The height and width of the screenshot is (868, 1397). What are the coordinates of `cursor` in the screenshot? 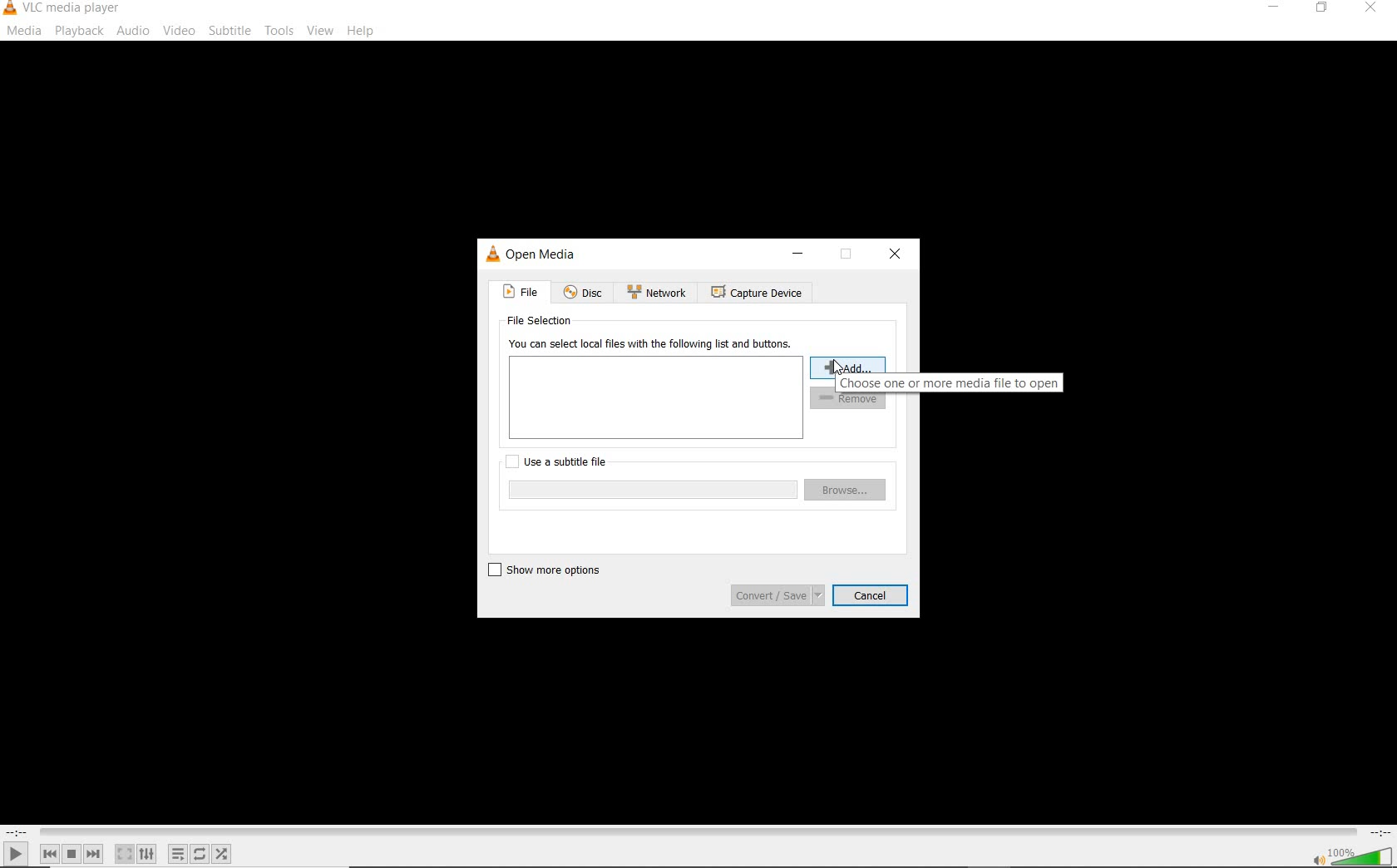 It's located at (838, 367).